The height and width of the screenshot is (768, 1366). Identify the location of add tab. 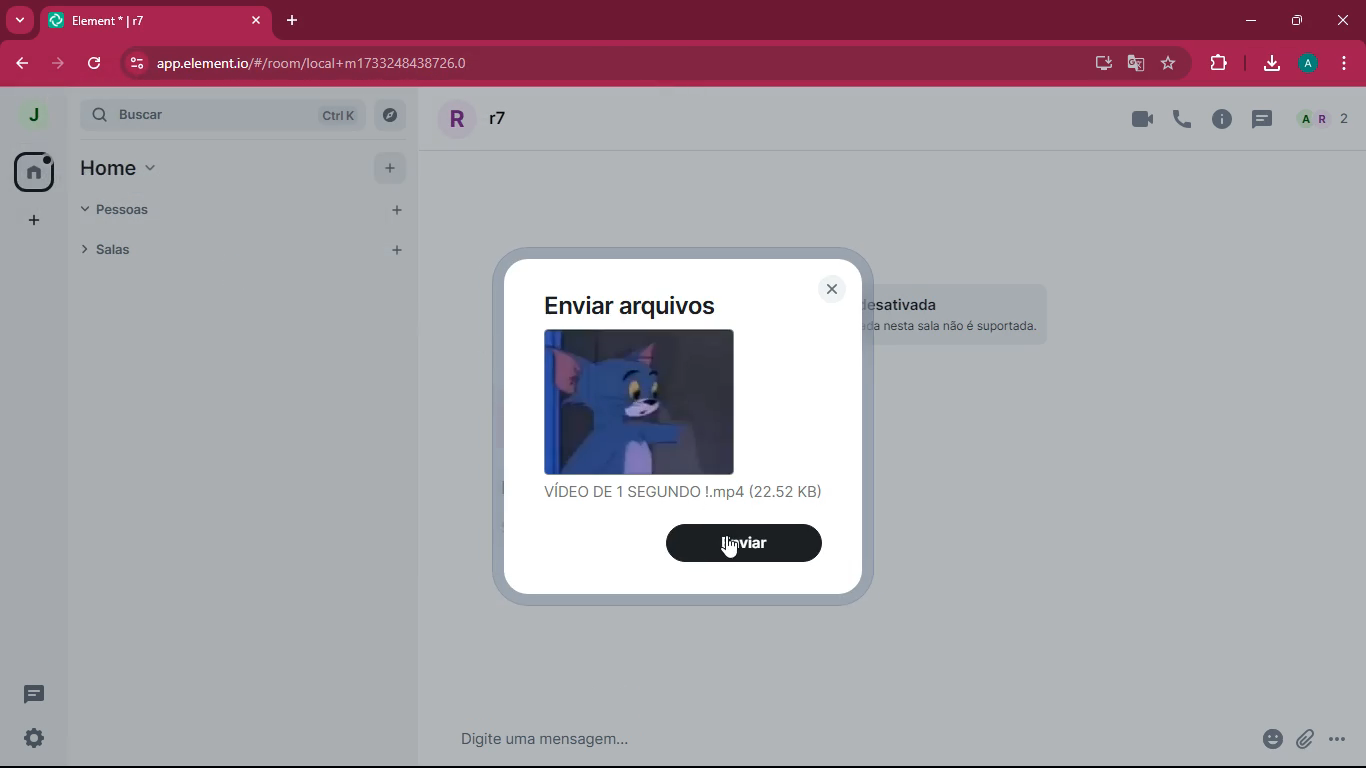
(291, 21).